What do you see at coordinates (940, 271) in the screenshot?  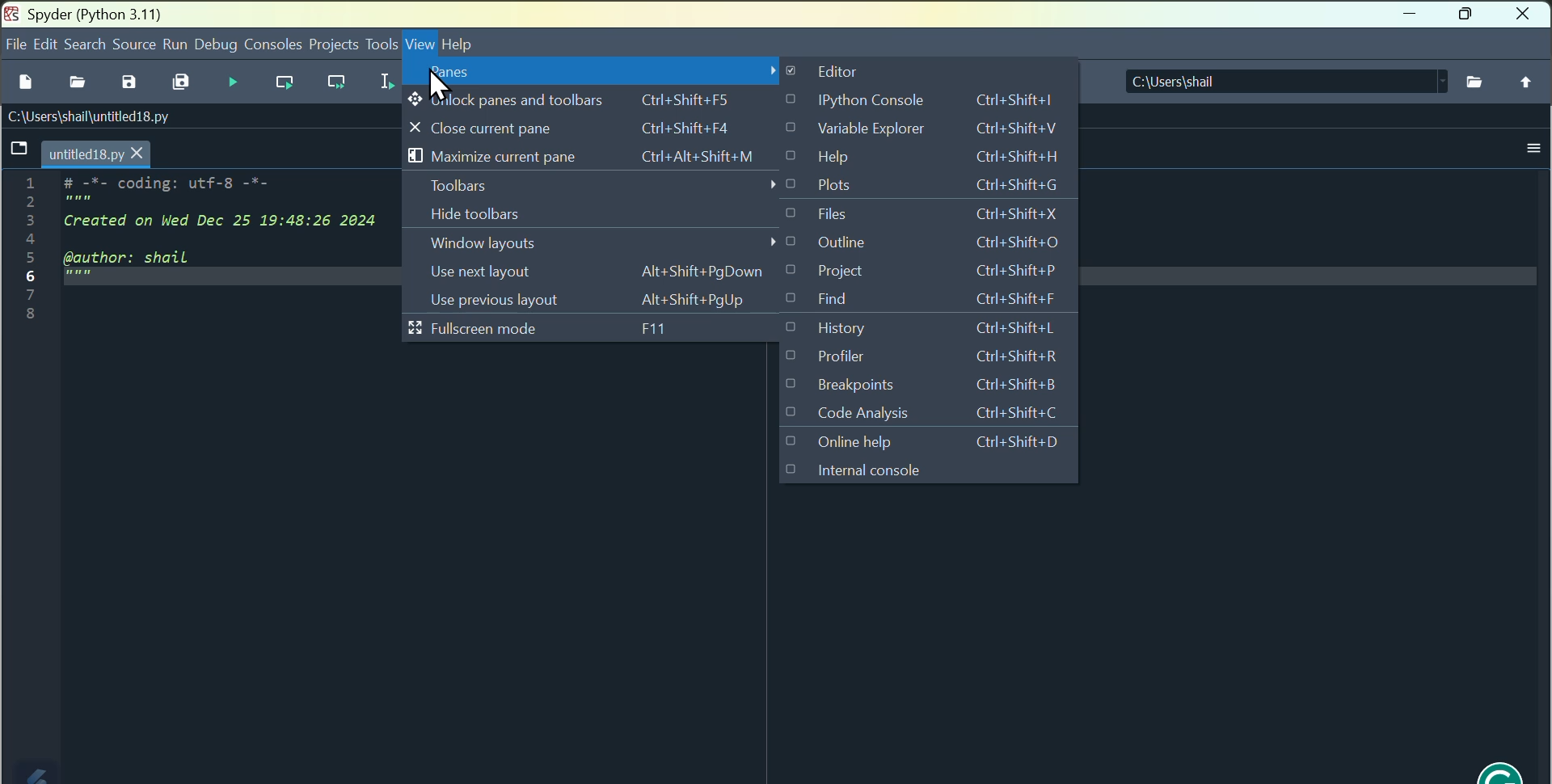 I see `Project` at bounding box center [940, 271].